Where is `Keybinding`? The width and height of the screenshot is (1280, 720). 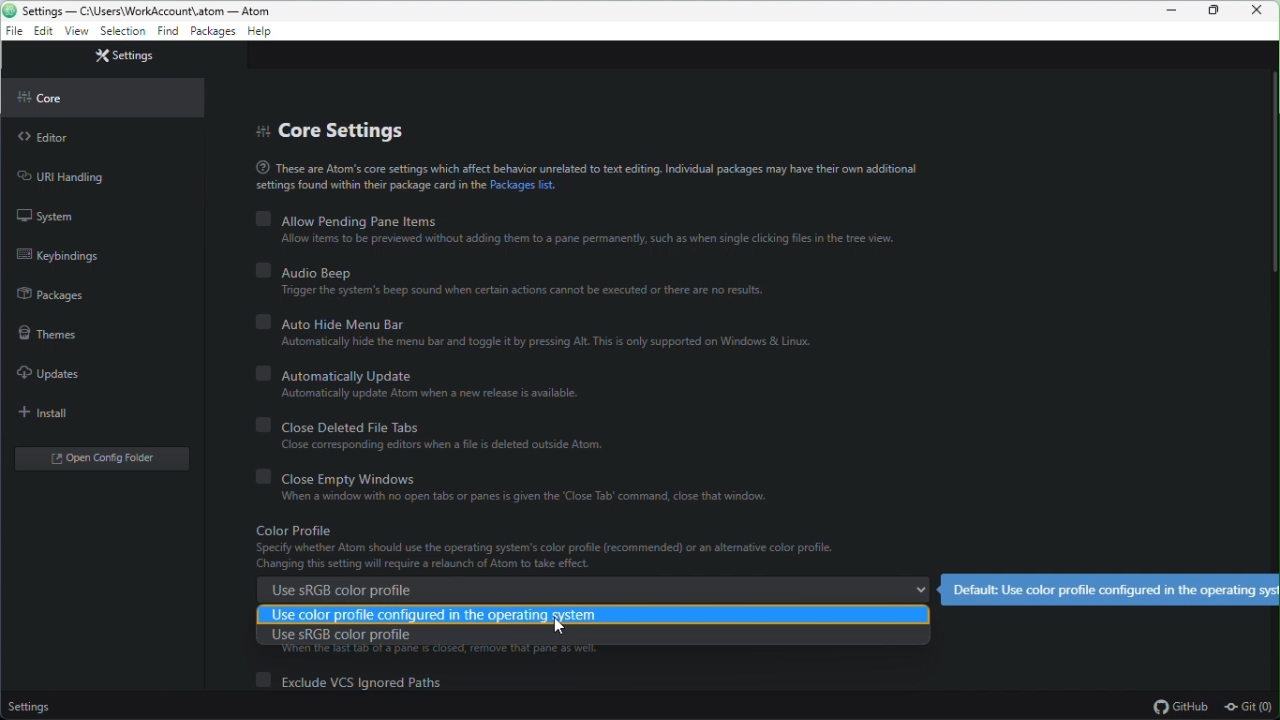
Keybinding is located at coordinates (68, 254).